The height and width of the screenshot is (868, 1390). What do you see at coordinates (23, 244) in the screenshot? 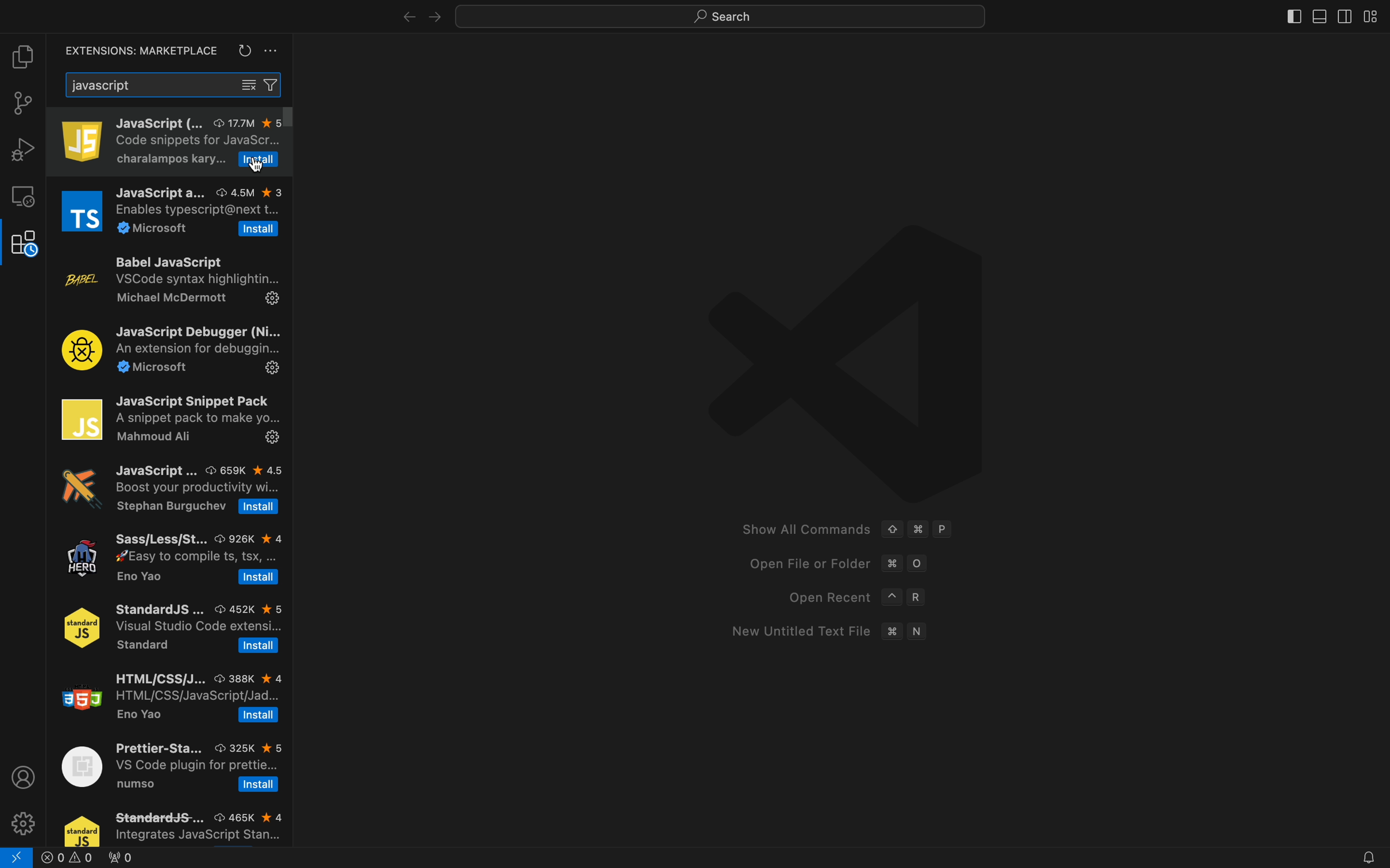
I see `extensions` at bounding box center [23, 244].